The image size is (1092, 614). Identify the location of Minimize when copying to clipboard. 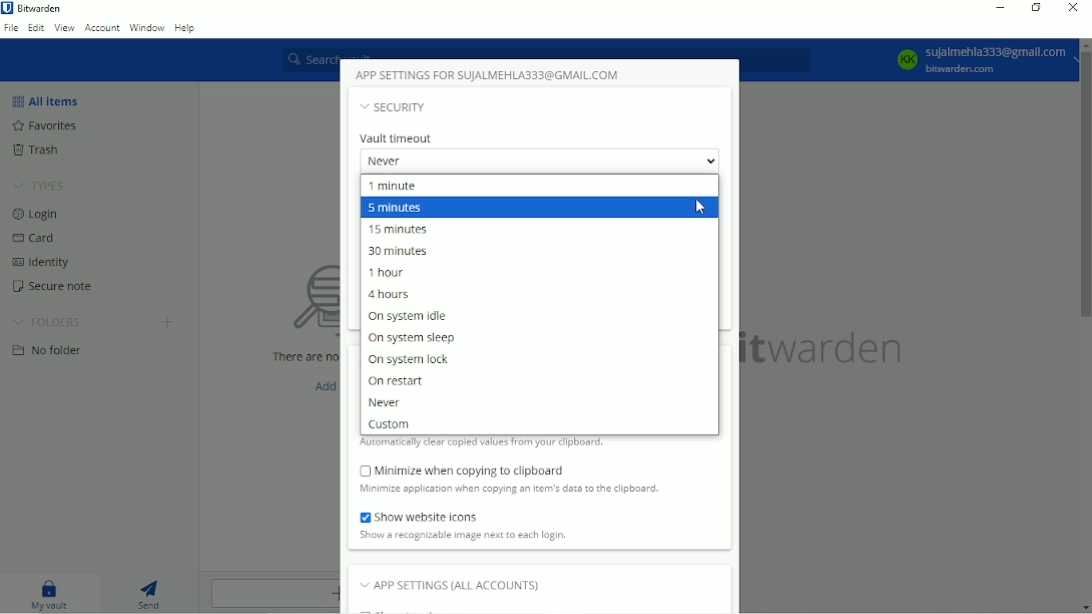
(460, 470).